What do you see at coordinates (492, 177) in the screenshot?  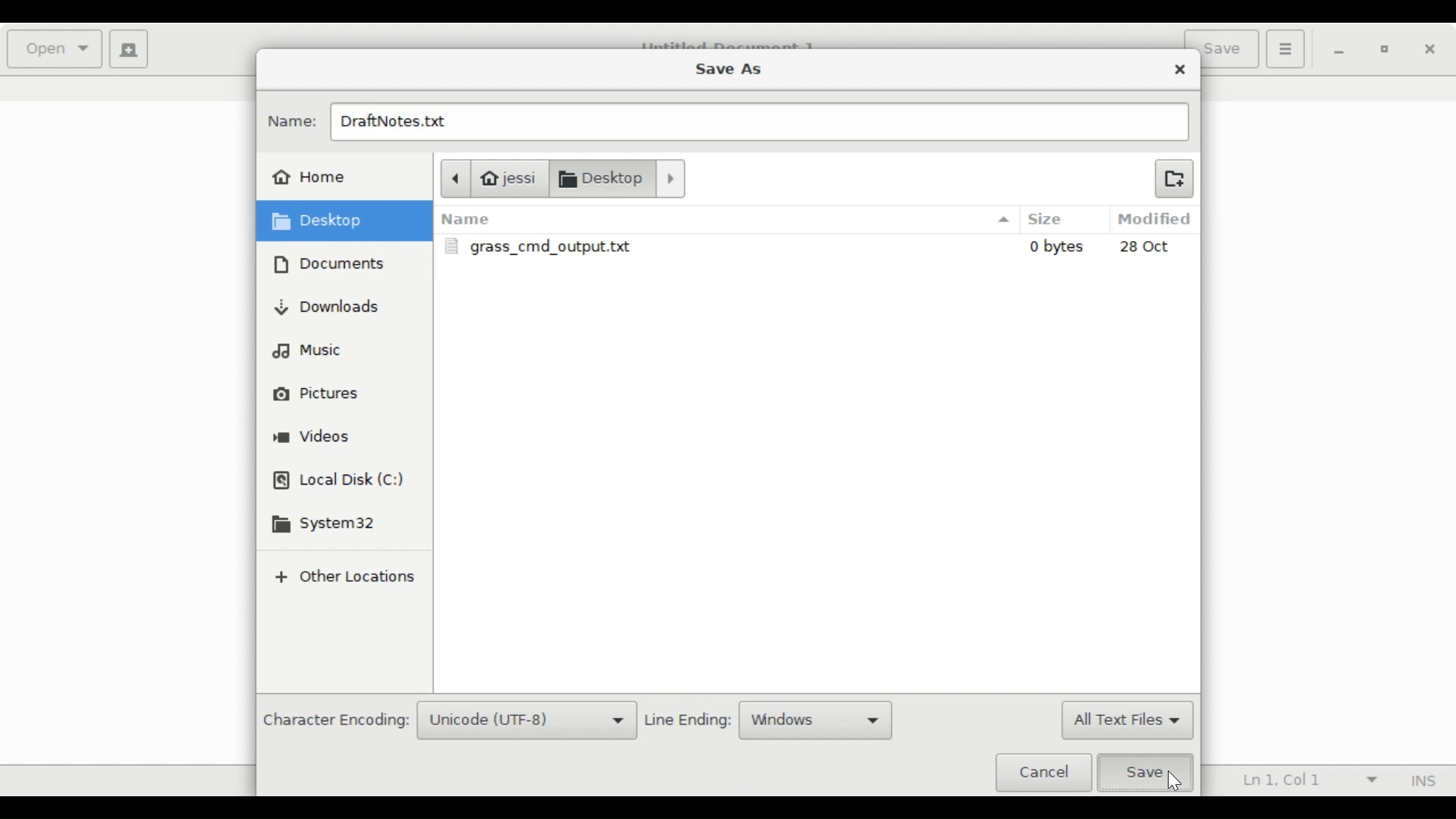 I see `jessi` at bounding box center [492, 177].